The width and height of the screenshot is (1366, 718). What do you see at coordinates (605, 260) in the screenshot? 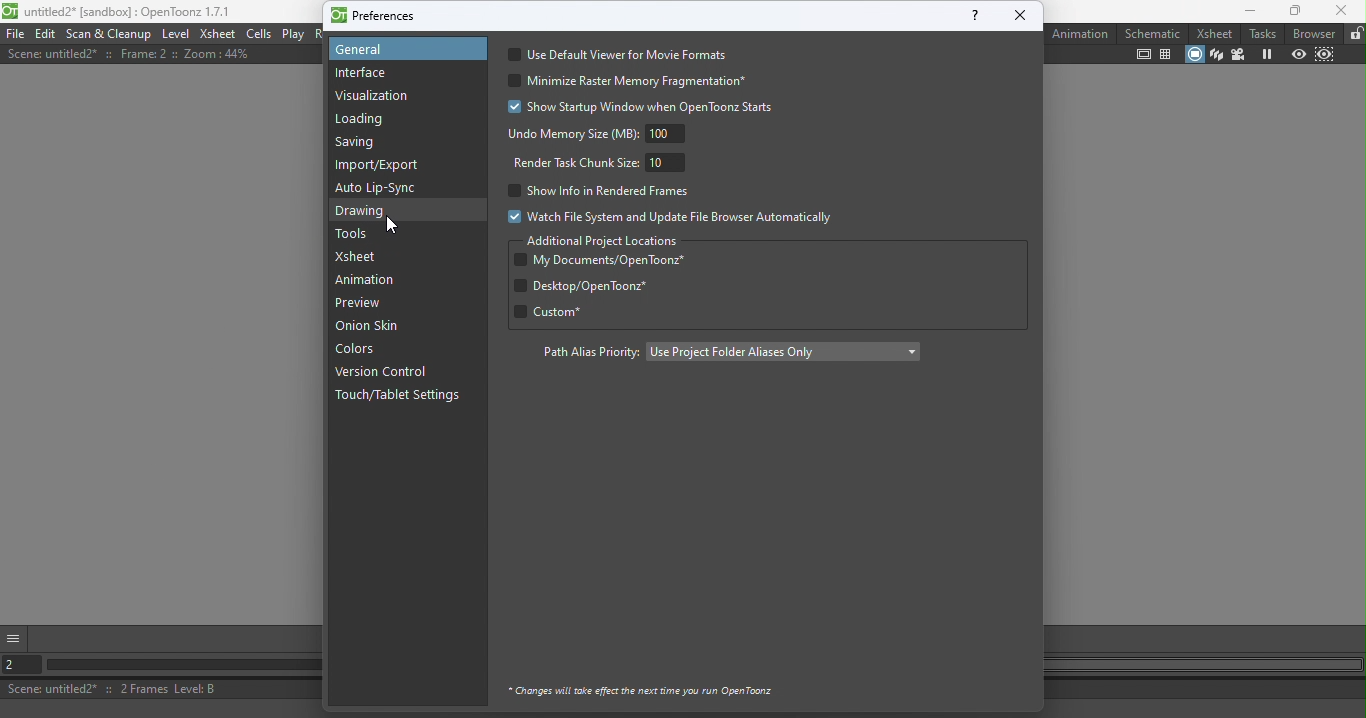
I see `My documents/OpenToonz*` at bounding box center [605, 260].